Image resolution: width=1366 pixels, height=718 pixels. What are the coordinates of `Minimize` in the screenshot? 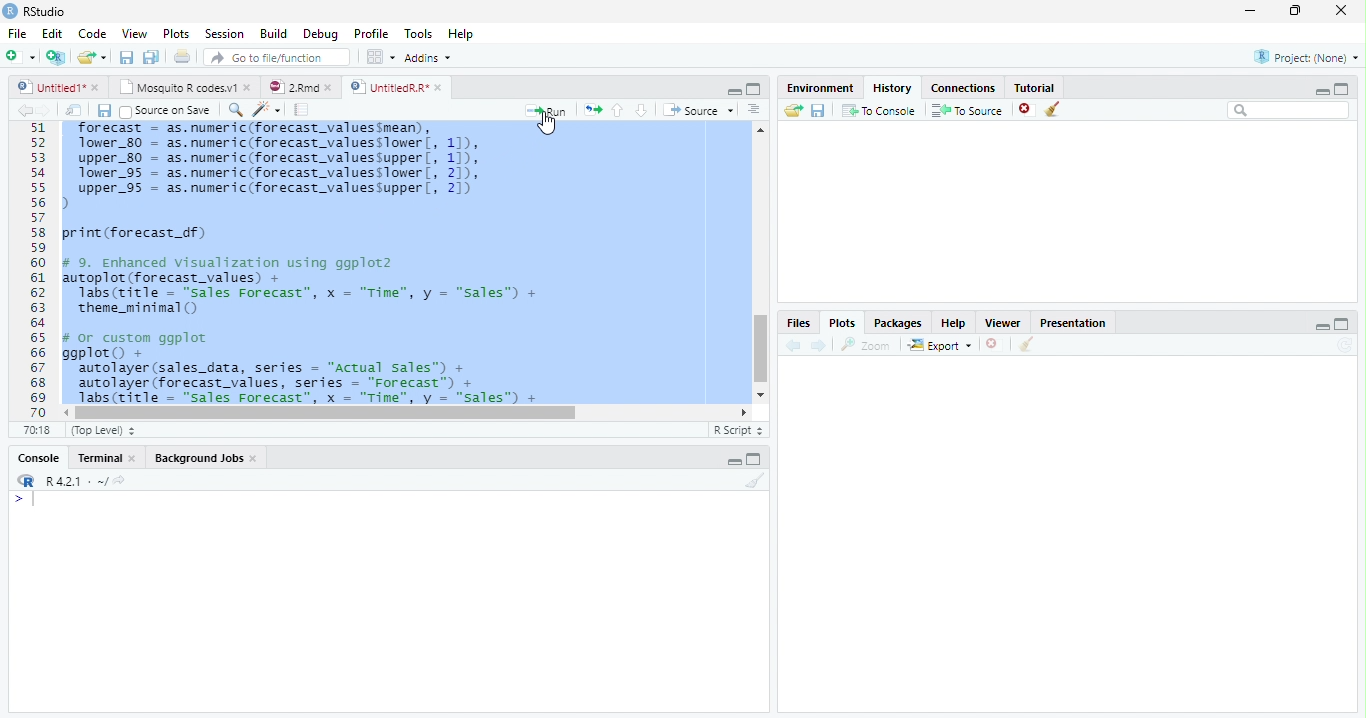 It's located at (1321, 89).